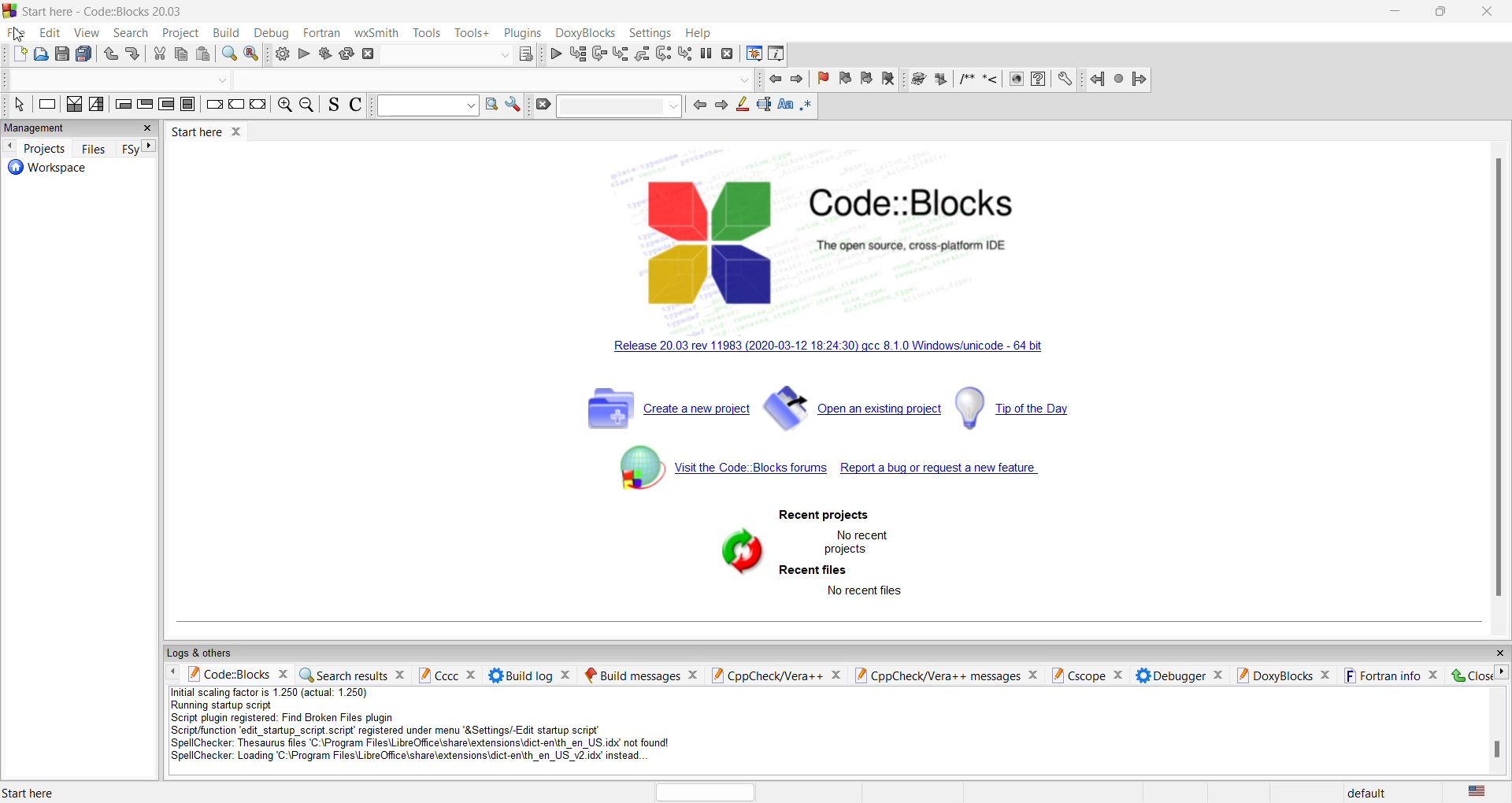 This screenshot has height=803, width=1512. What do you see at coordinates (133, 56) in the screenshot?
I see `redo` at bounding box center [133, 56].